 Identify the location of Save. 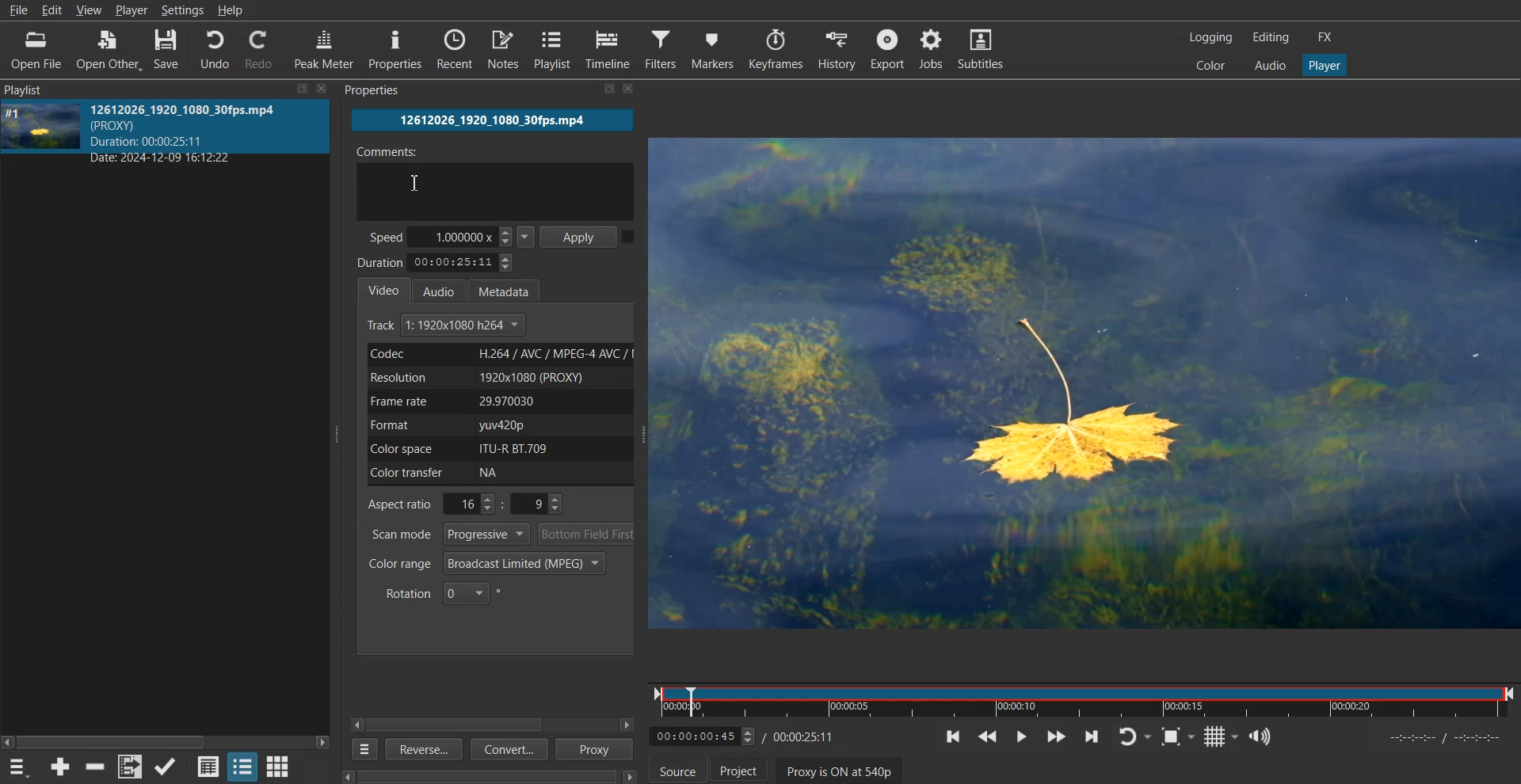
(167, 48).